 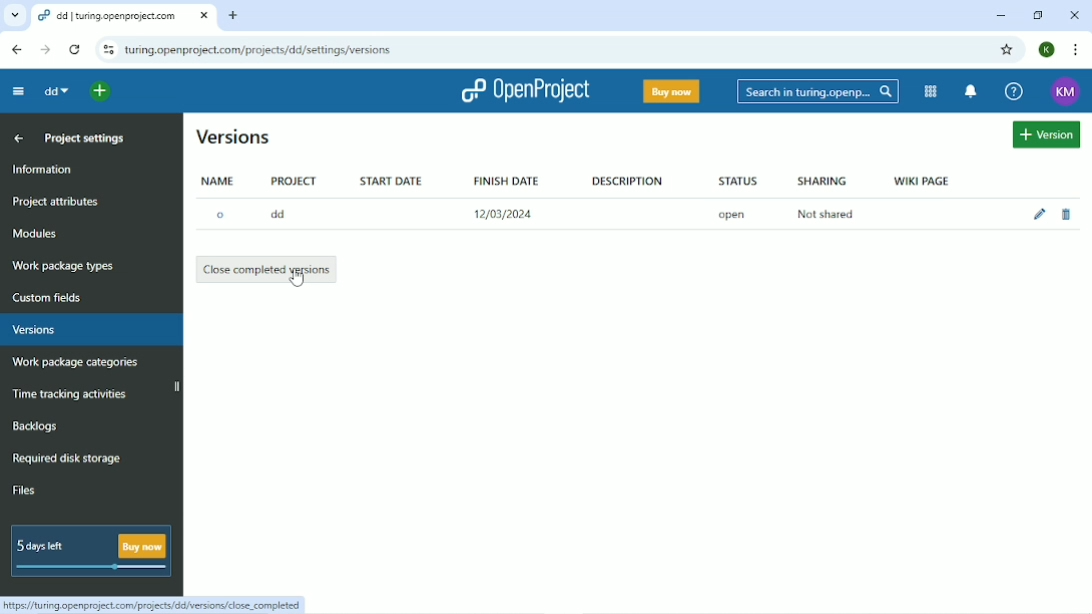 What do you see at coordinates (283, 214) in the screenshot?
I see `dd` at bounding box center [283, 214].